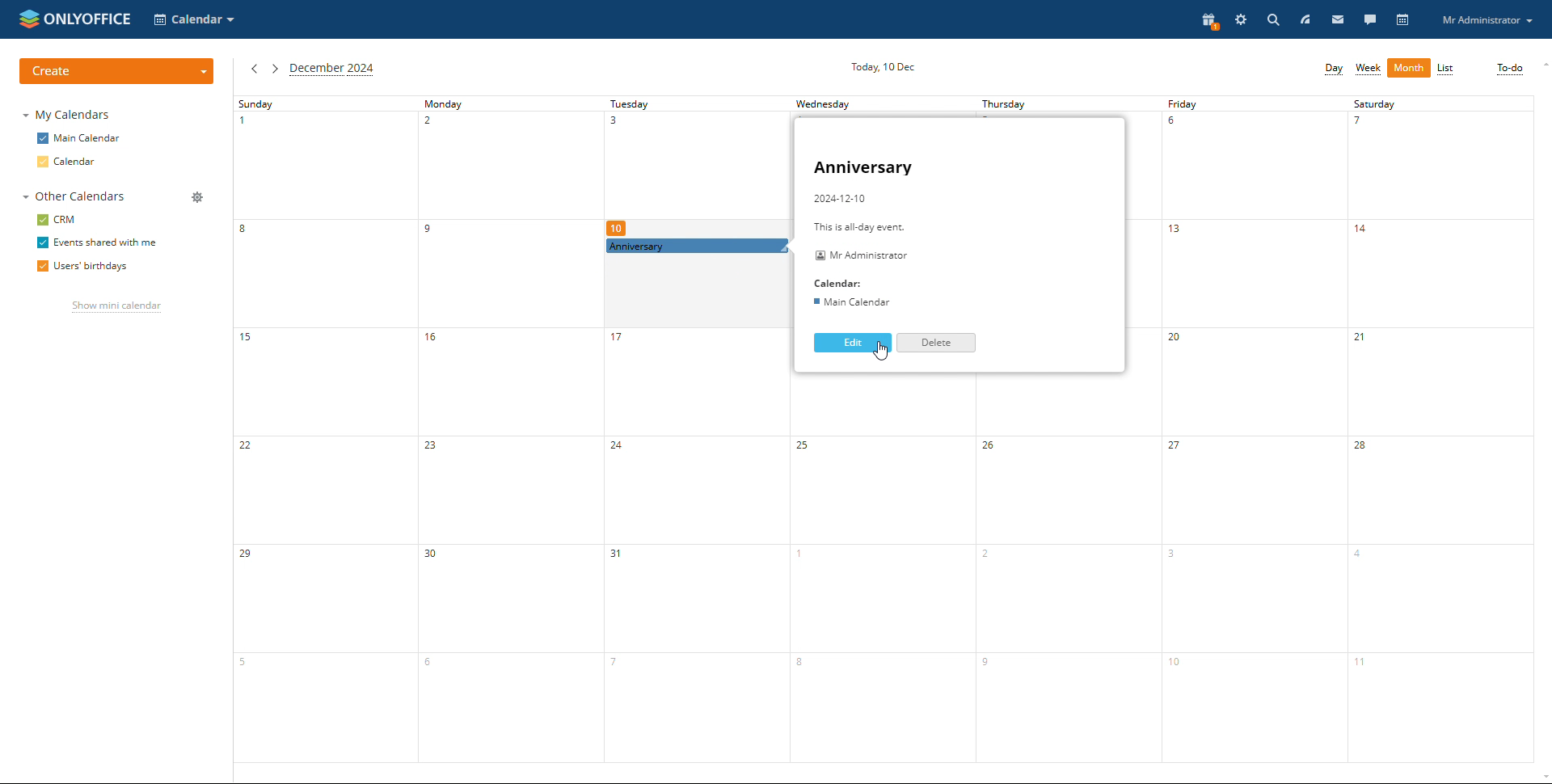  I want to click on calendar, so click(1403, 20).